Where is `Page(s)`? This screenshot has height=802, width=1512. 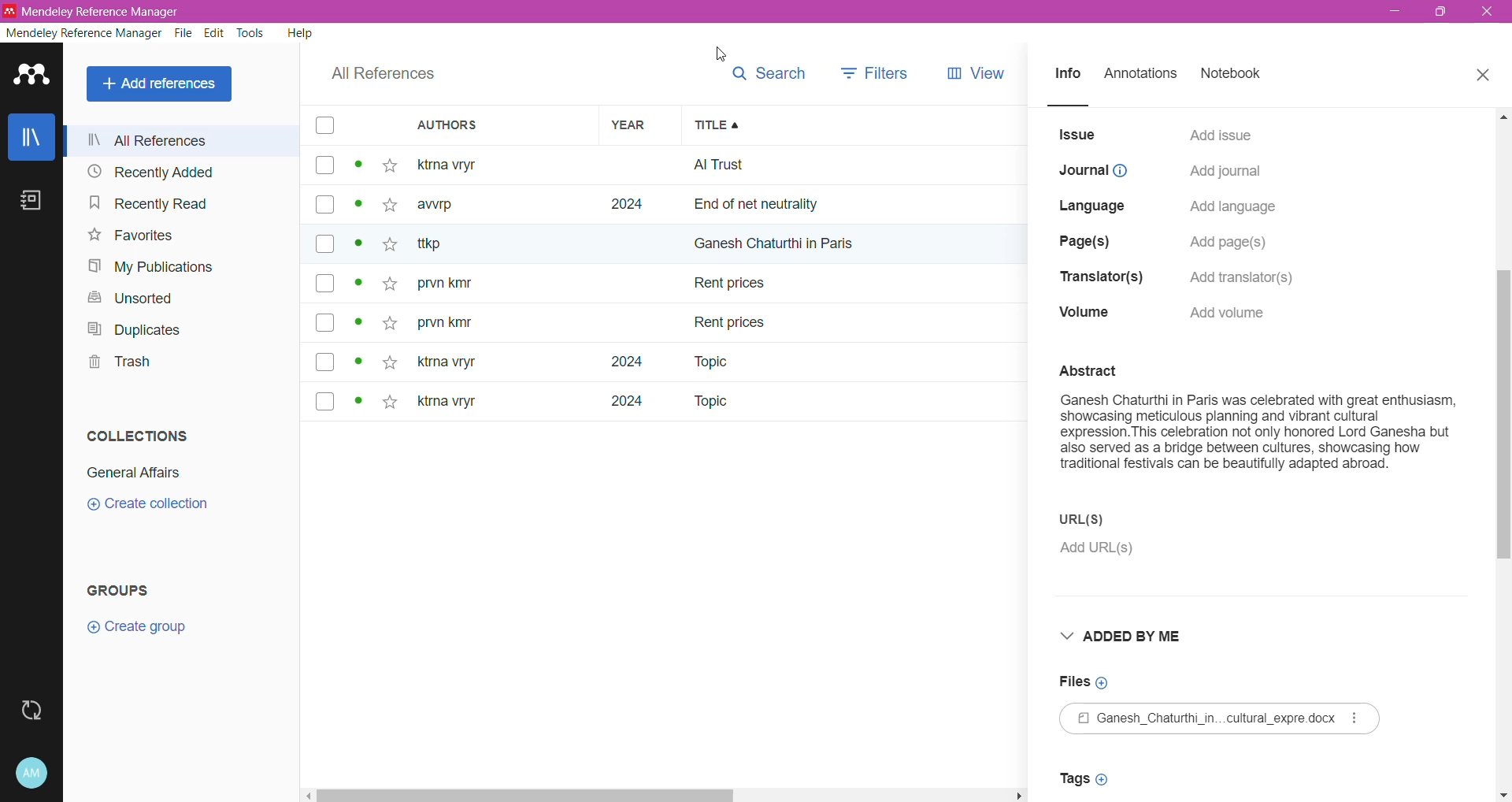
Page(s) is located at coordinates (1088, 238).